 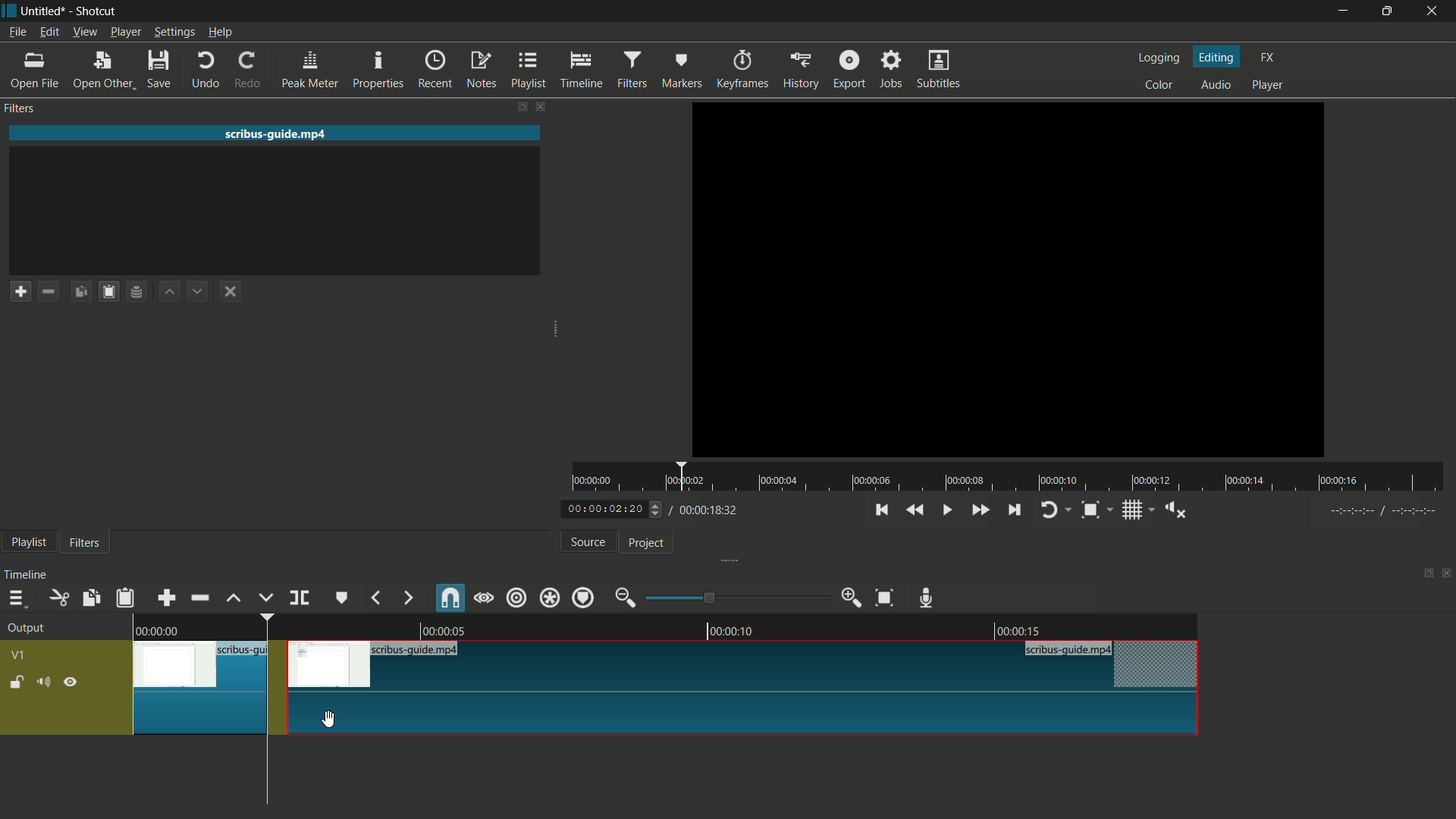 What do you see at coordinates (331, 720) in the screenshot?
I see `cursor` at bounding box center [331, 720].